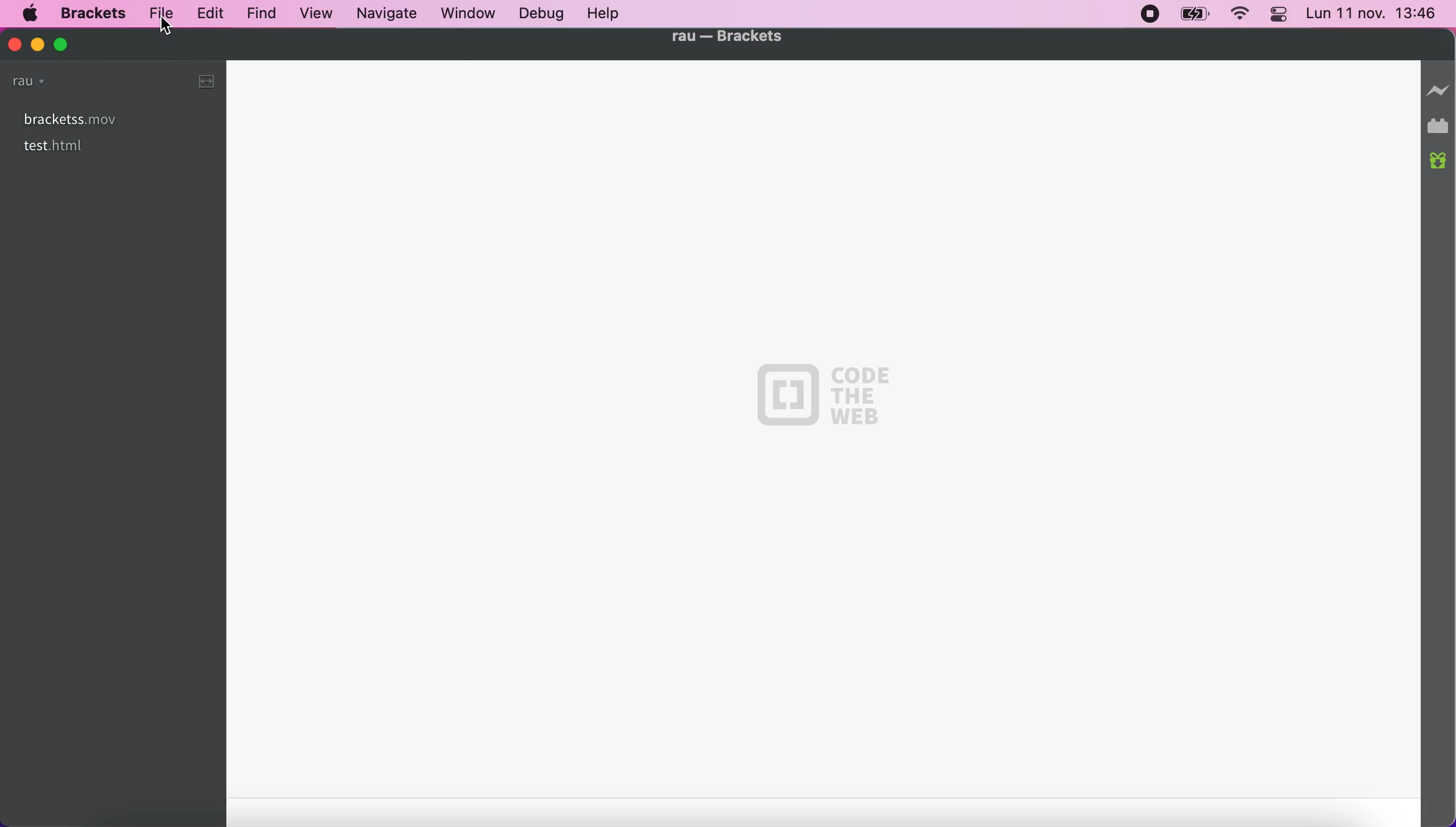  I want to click on help, so click(609, 13).